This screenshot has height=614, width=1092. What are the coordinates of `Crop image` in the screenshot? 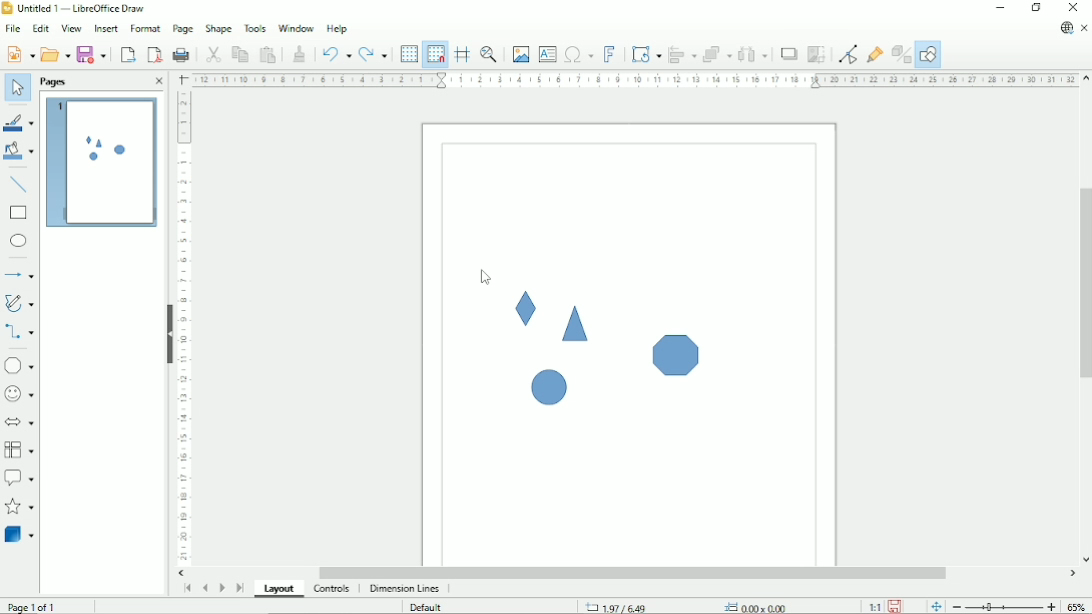 It's located at (815, 55).